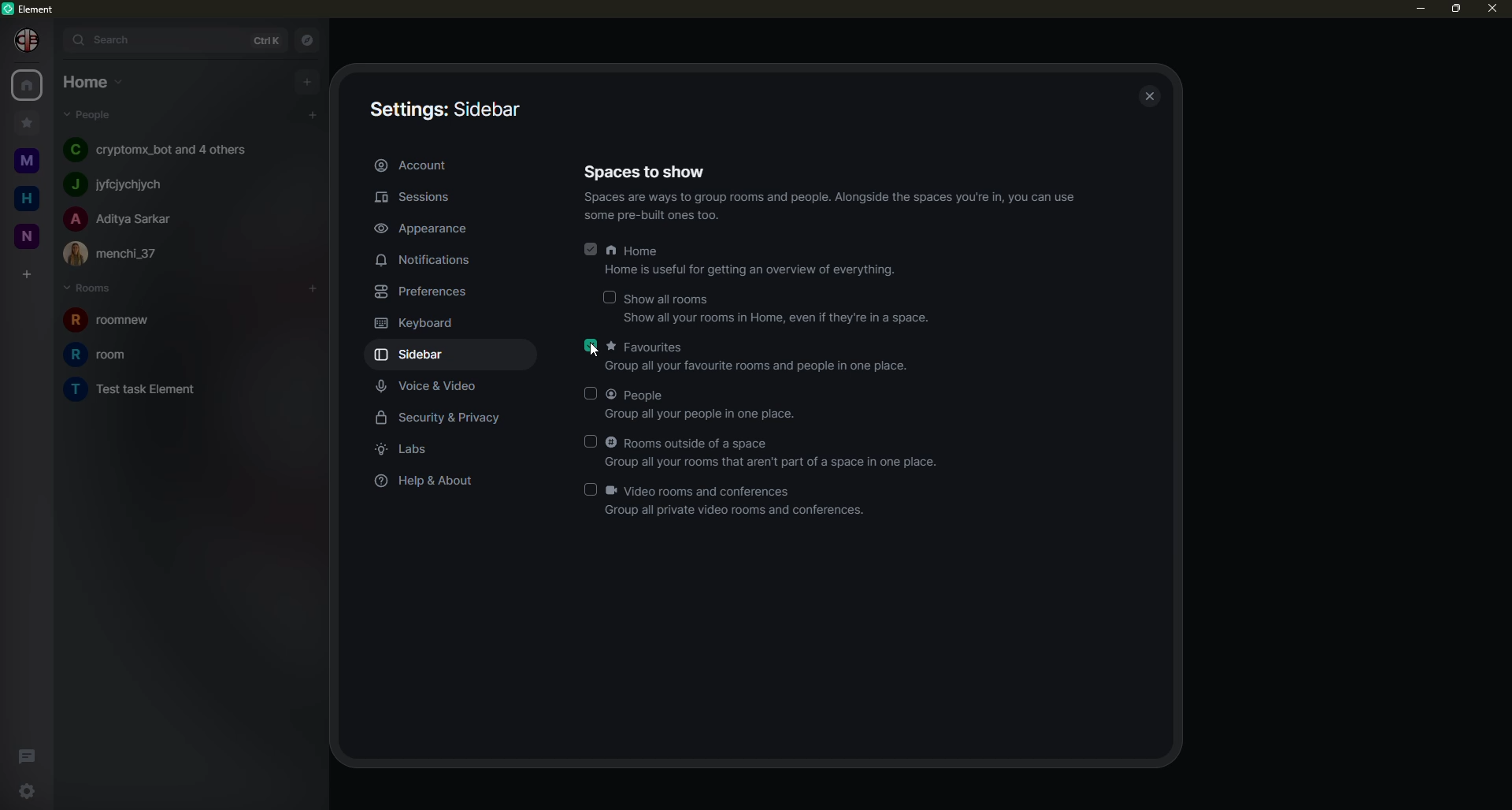 This screenshot has height=810, width=1512. I want to click on myspace, so click(28, 163).